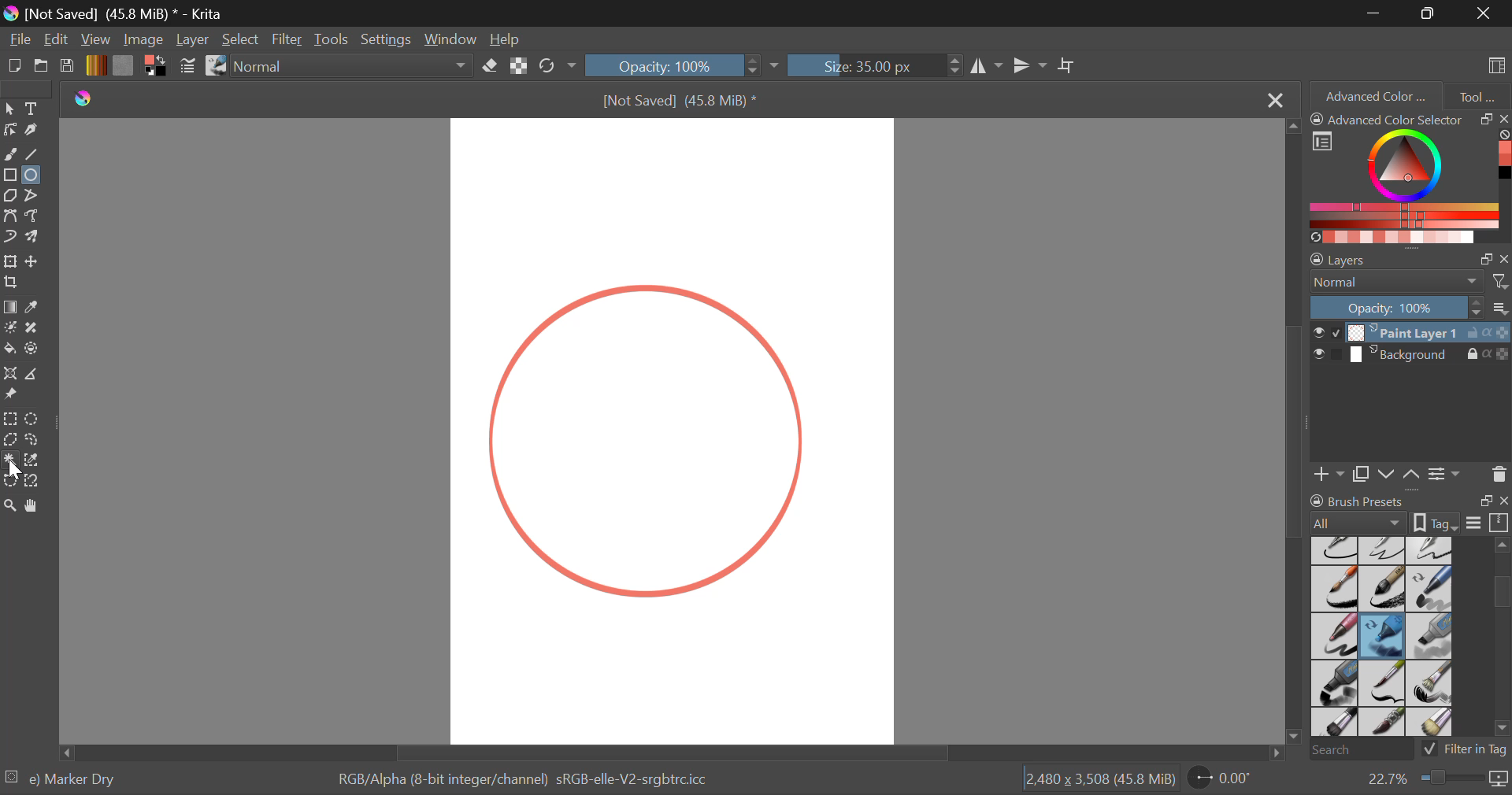  I want to click on Help, so click(507, 41).